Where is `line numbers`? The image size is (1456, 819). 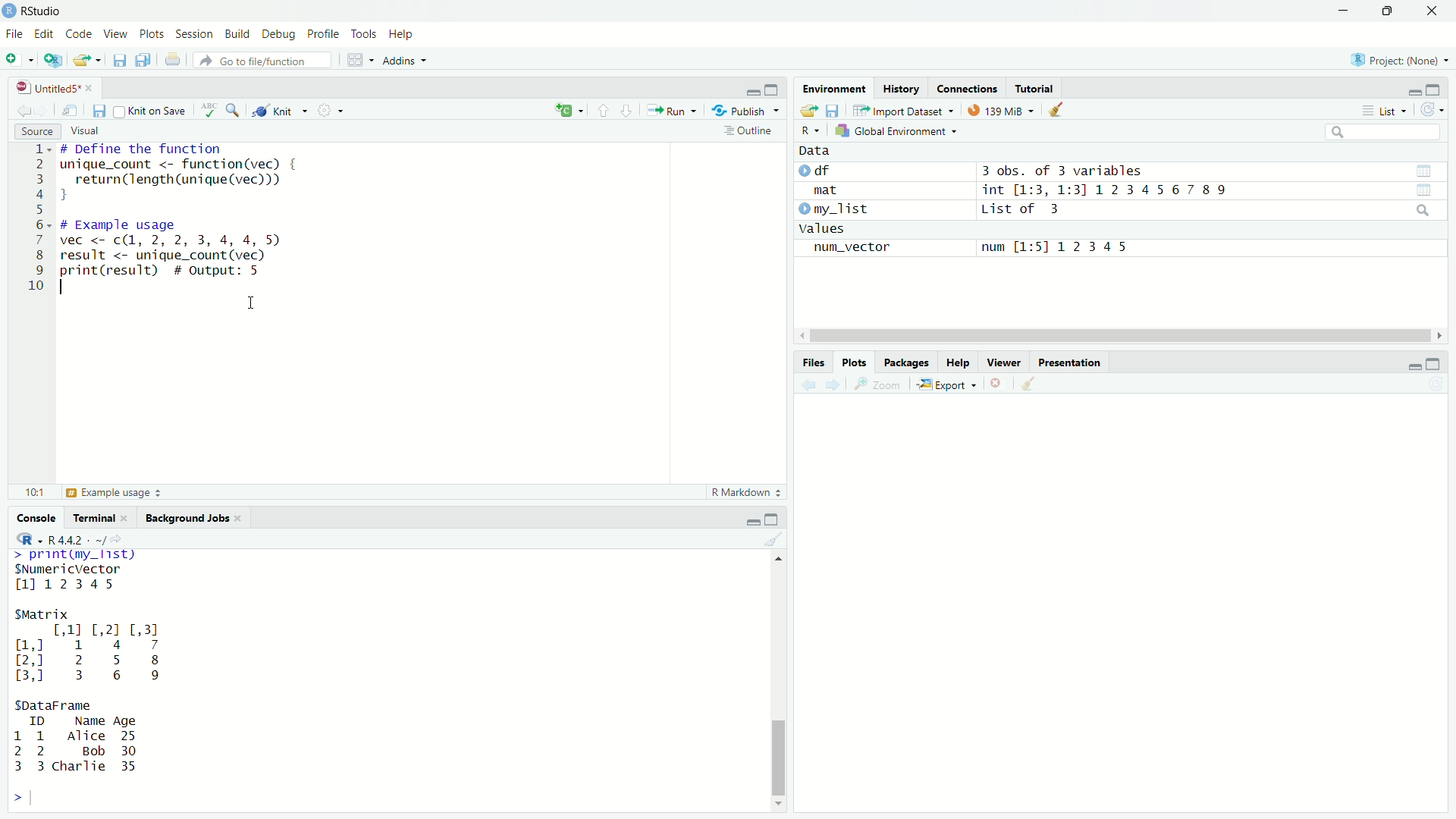 line numbers is located at coordinates (37, 219).